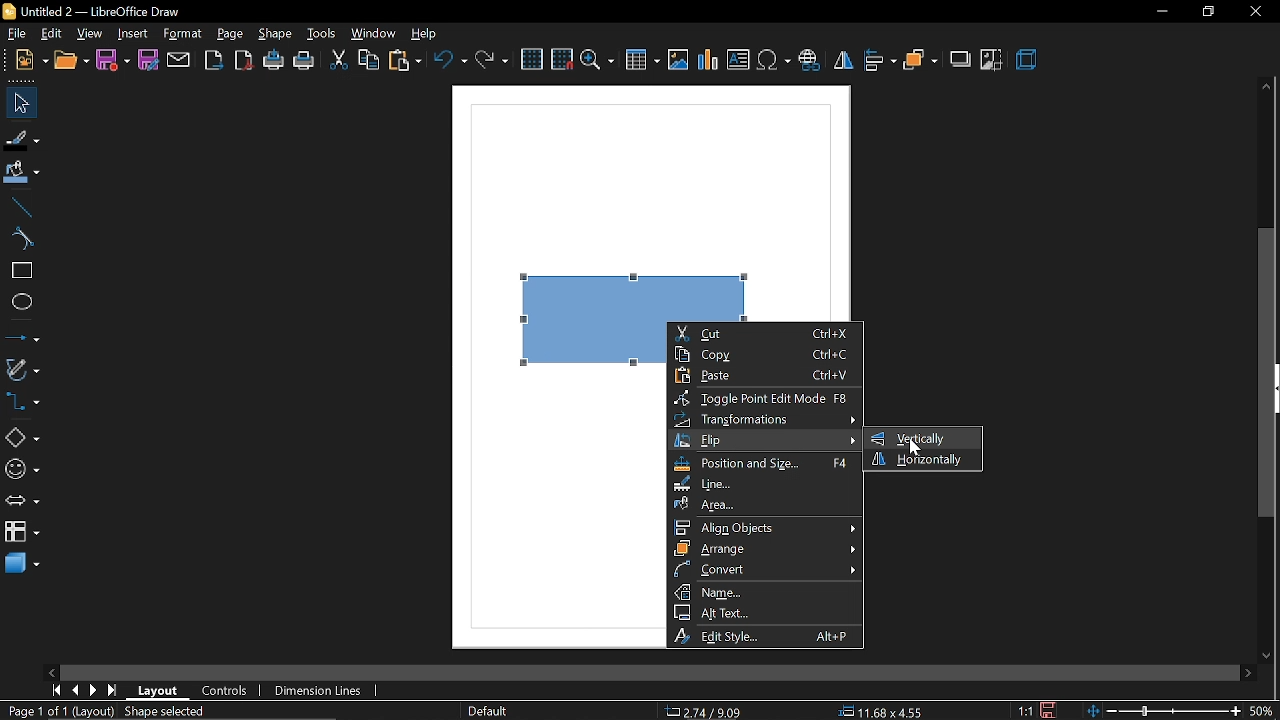  What do you see at coordinates (738, 60) in the screenshot?
I see `insert text` at bounding box center [738, 60].